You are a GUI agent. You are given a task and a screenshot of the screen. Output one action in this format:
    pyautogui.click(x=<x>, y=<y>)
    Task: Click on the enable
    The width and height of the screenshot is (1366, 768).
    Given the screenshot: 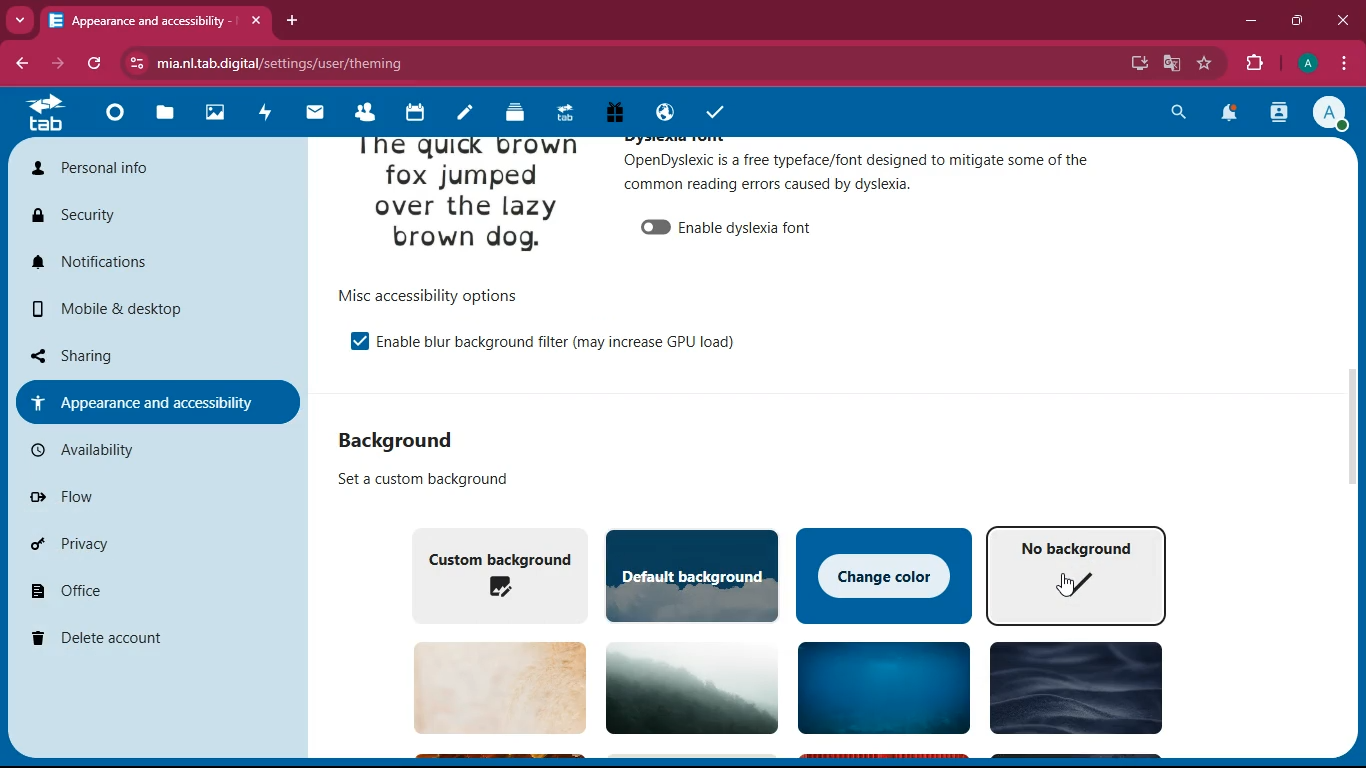 What is the action you would take?
    pyautogui.click(x=557, y=340)
    